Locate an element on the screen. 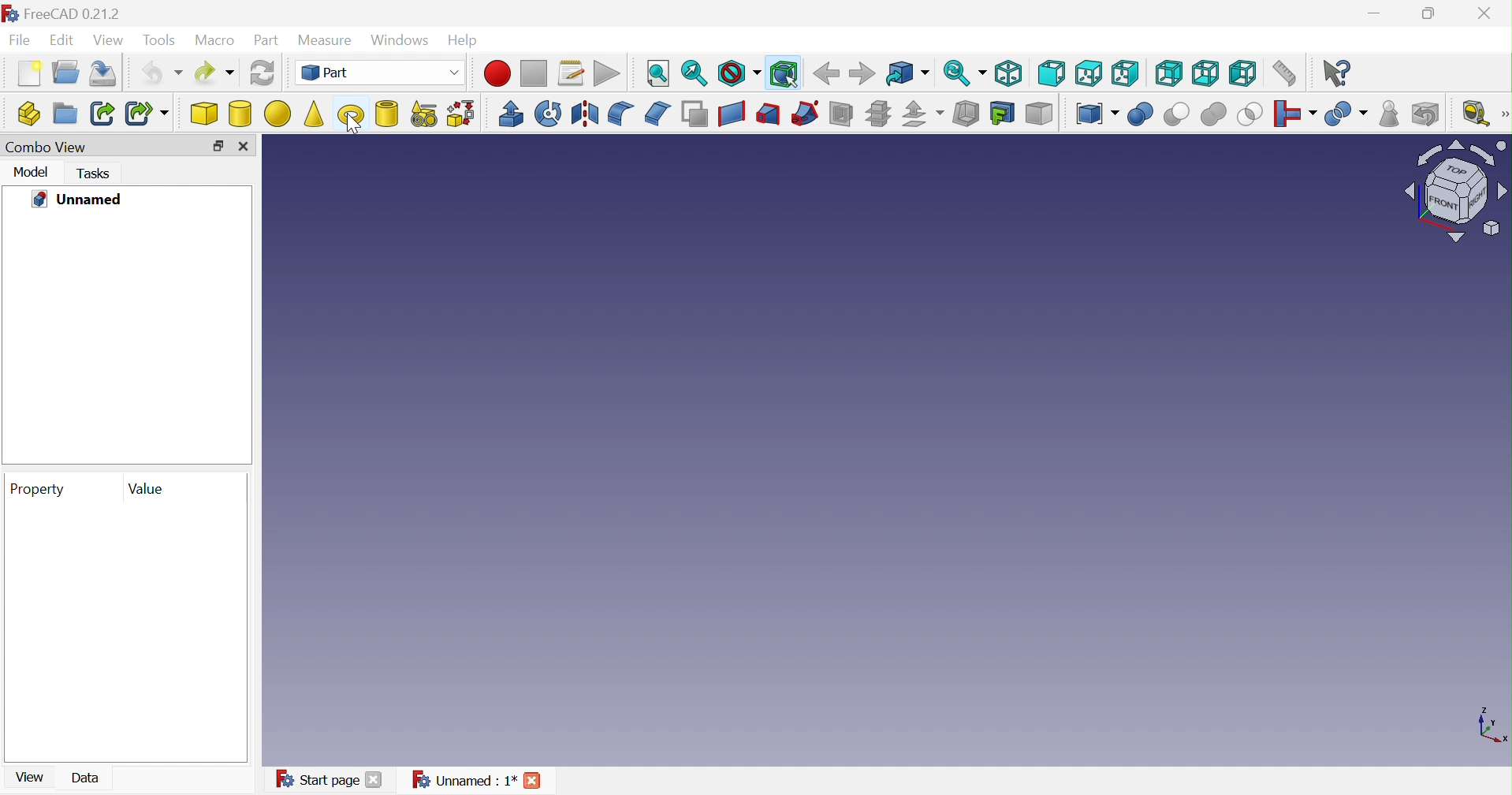 This screenshot has width=1512, height=795. Sub-sections is located at coordinates (879, 114).